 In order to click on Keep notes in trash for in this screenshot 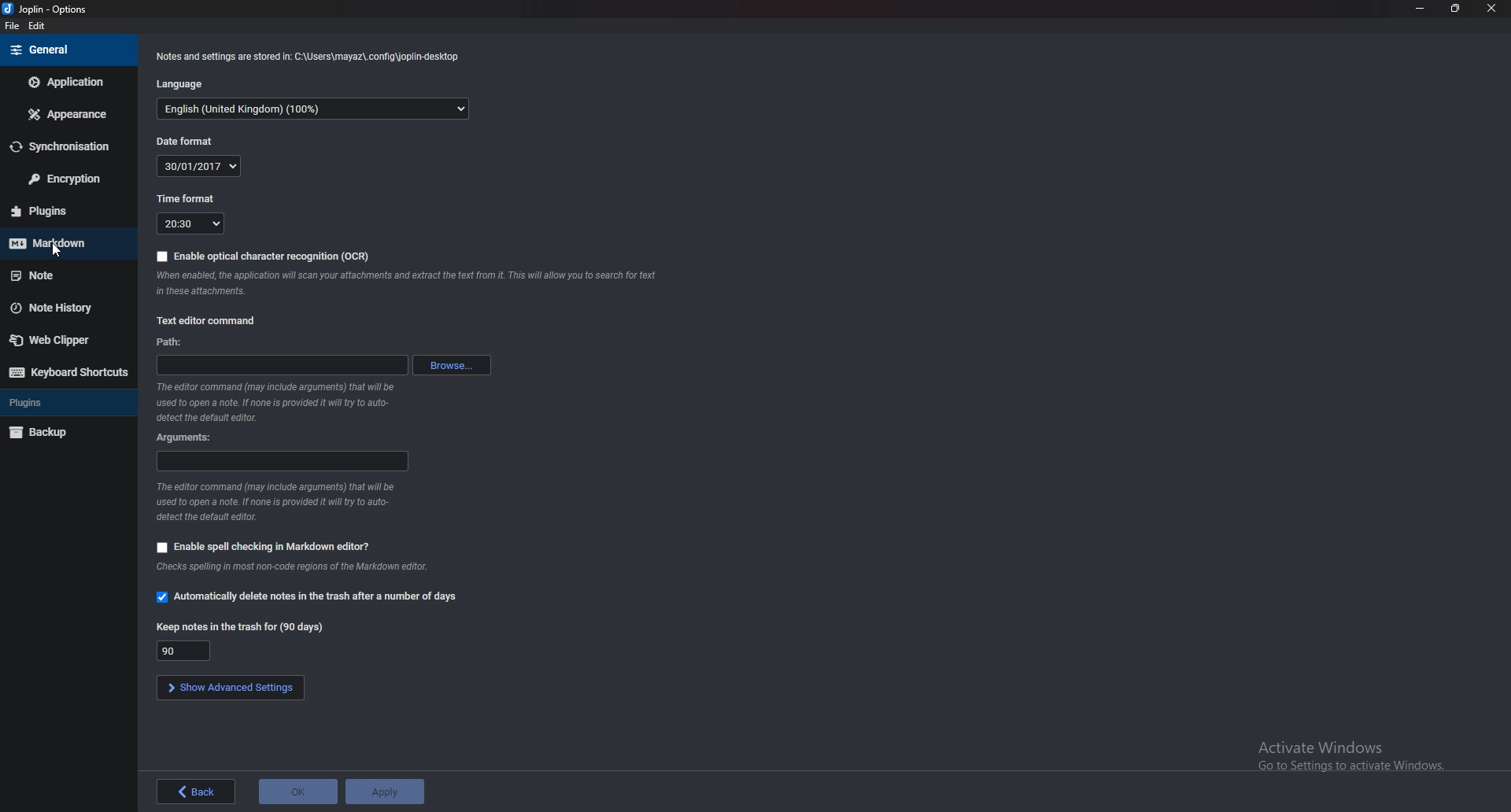, I will do `click(244, 626)`.